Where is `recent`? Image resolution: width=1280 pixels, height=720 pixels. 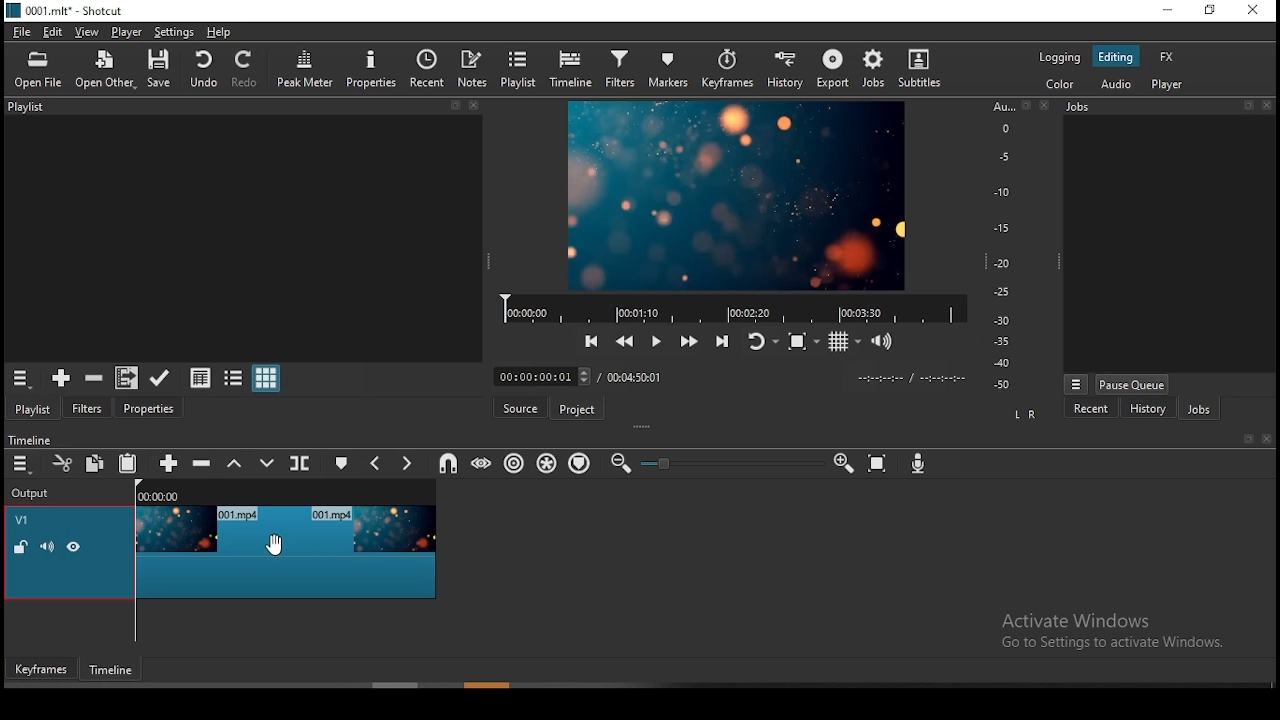 recent is located at coordinates (1093, 408).